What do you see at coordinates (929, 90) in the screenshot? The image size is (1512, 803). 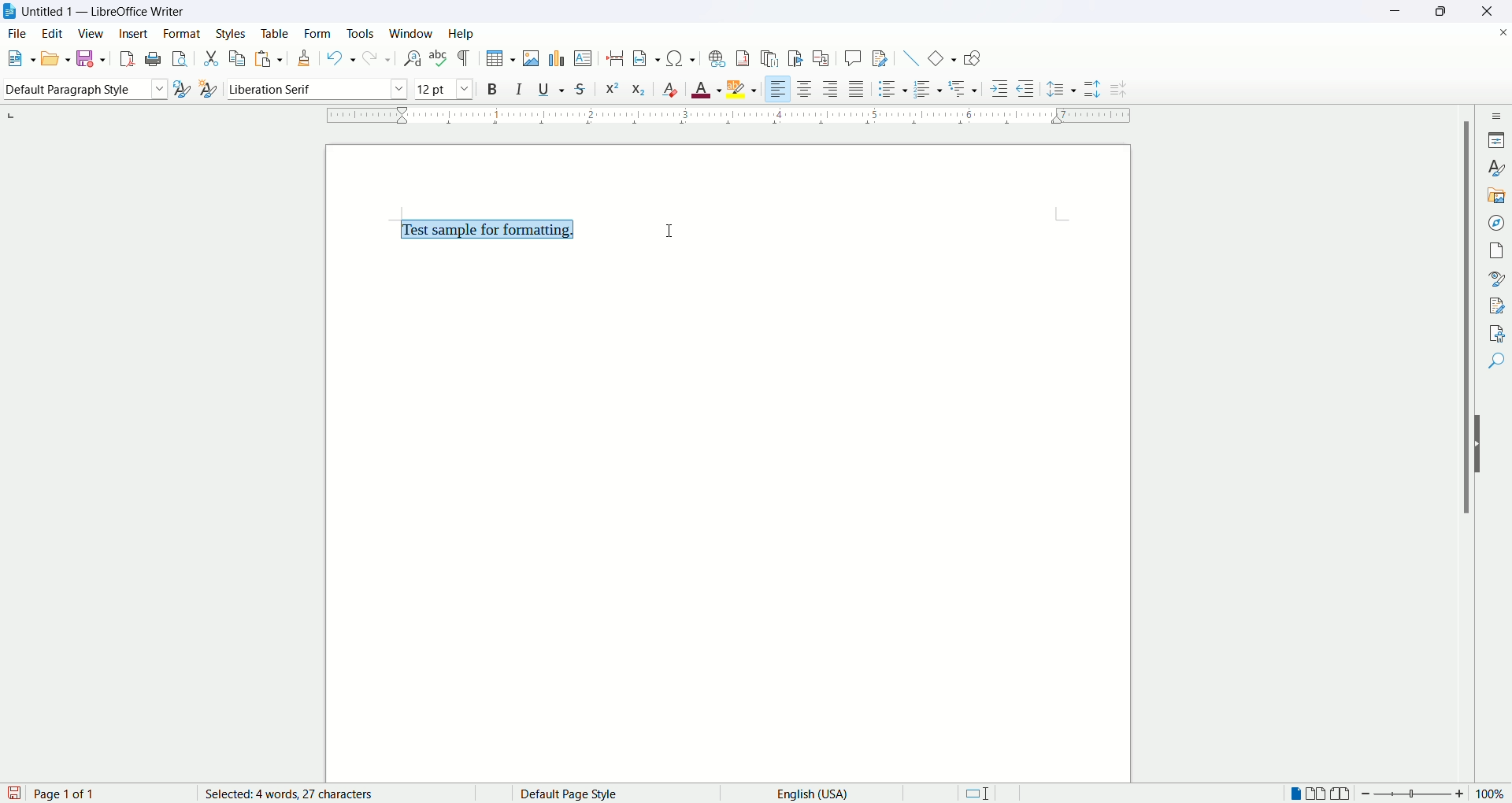 I see `ordered list` at bounding box center [929, 90].